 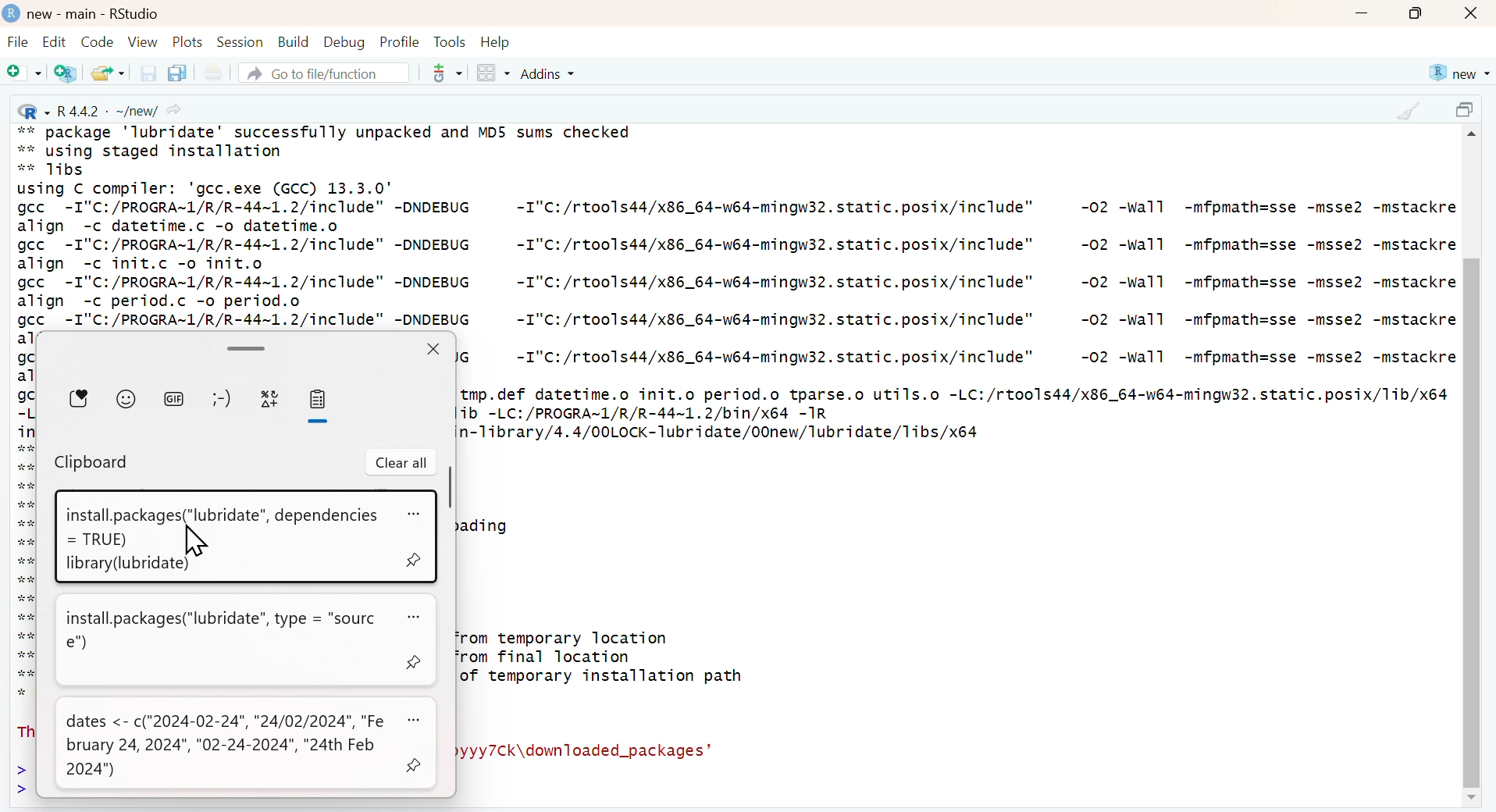 What do you see at coordinates (126, 397) in the screenshot?
I see `Emoji` at bounding box center [126, 397].